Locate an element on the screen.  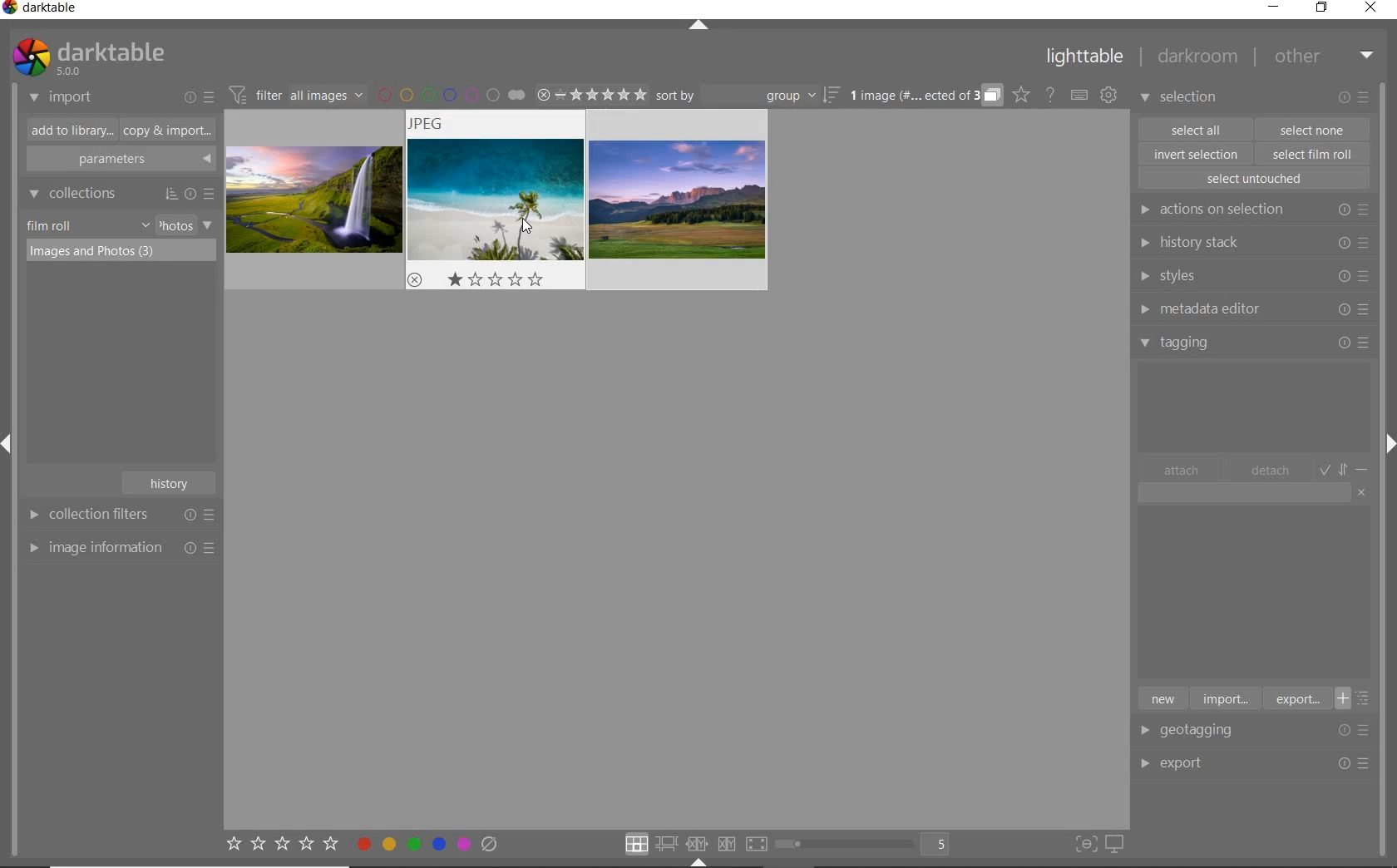
Expand is located at coordinates (1387, 440).